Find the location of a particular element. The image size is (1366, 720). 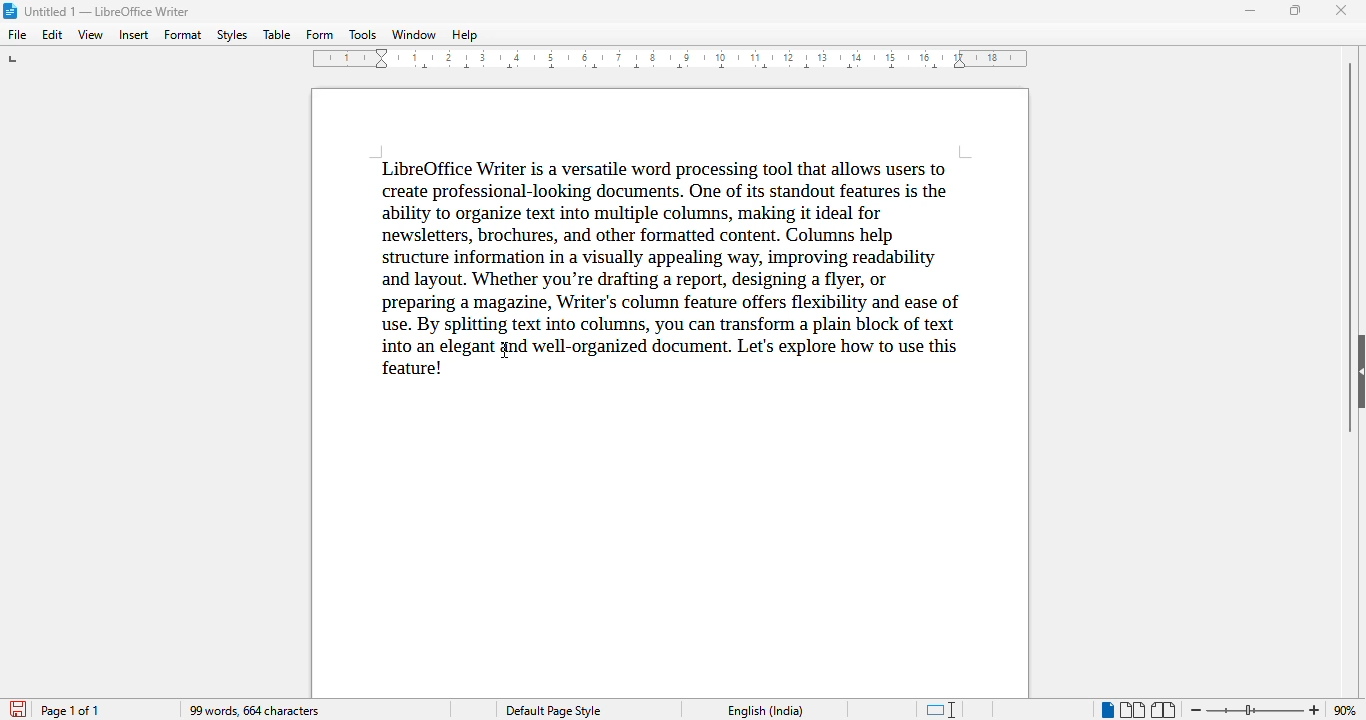

vertical scroll bar is located at coordinates (1350, 246).